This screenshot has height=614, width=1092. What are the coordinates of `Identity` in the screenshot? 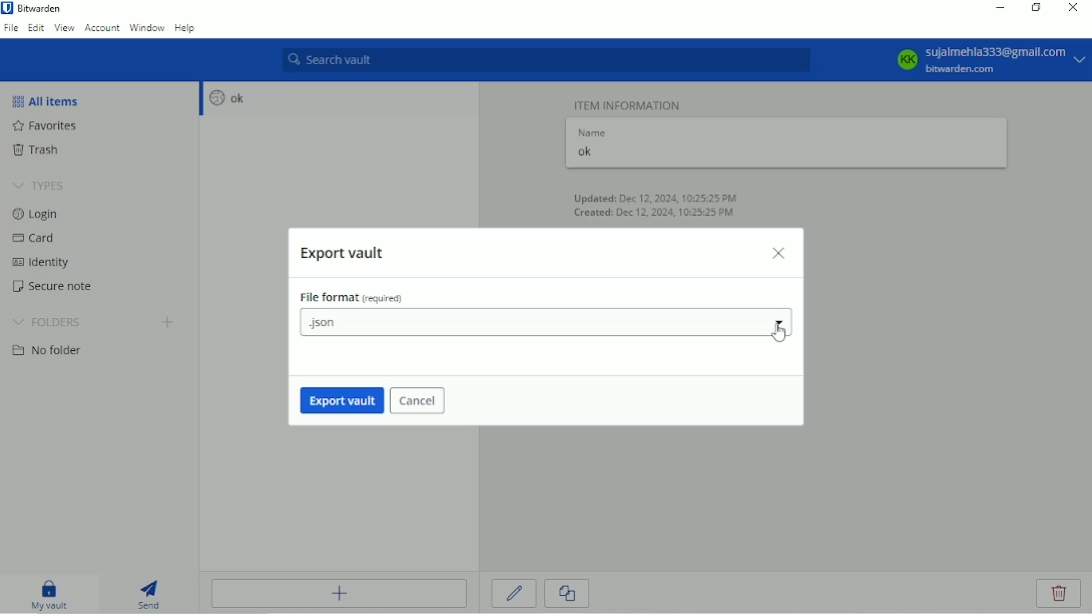 It's located at (47, 264).